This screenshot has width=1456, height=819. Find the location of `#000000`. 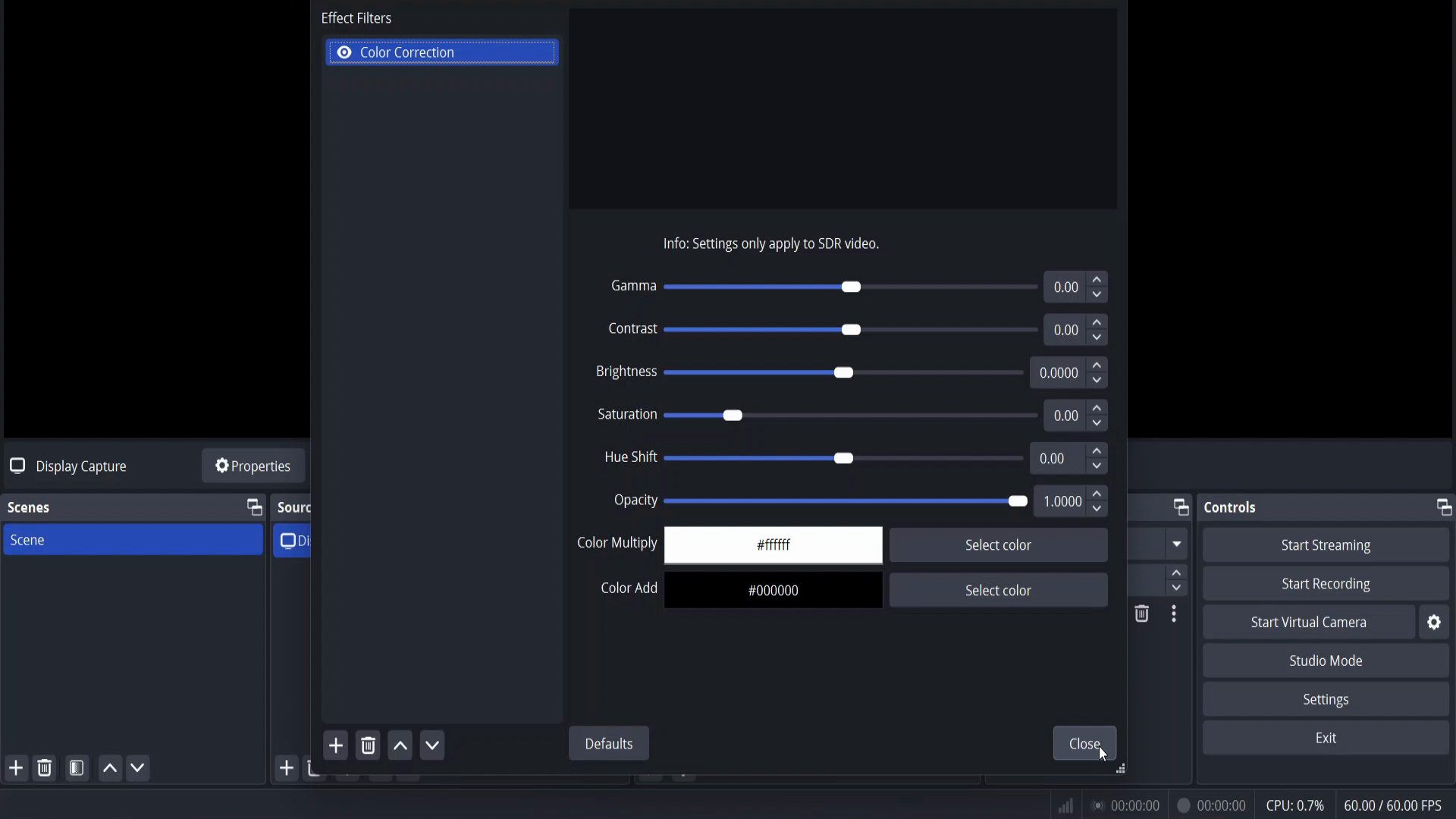

#000000 is located at coordinates (773, 588).